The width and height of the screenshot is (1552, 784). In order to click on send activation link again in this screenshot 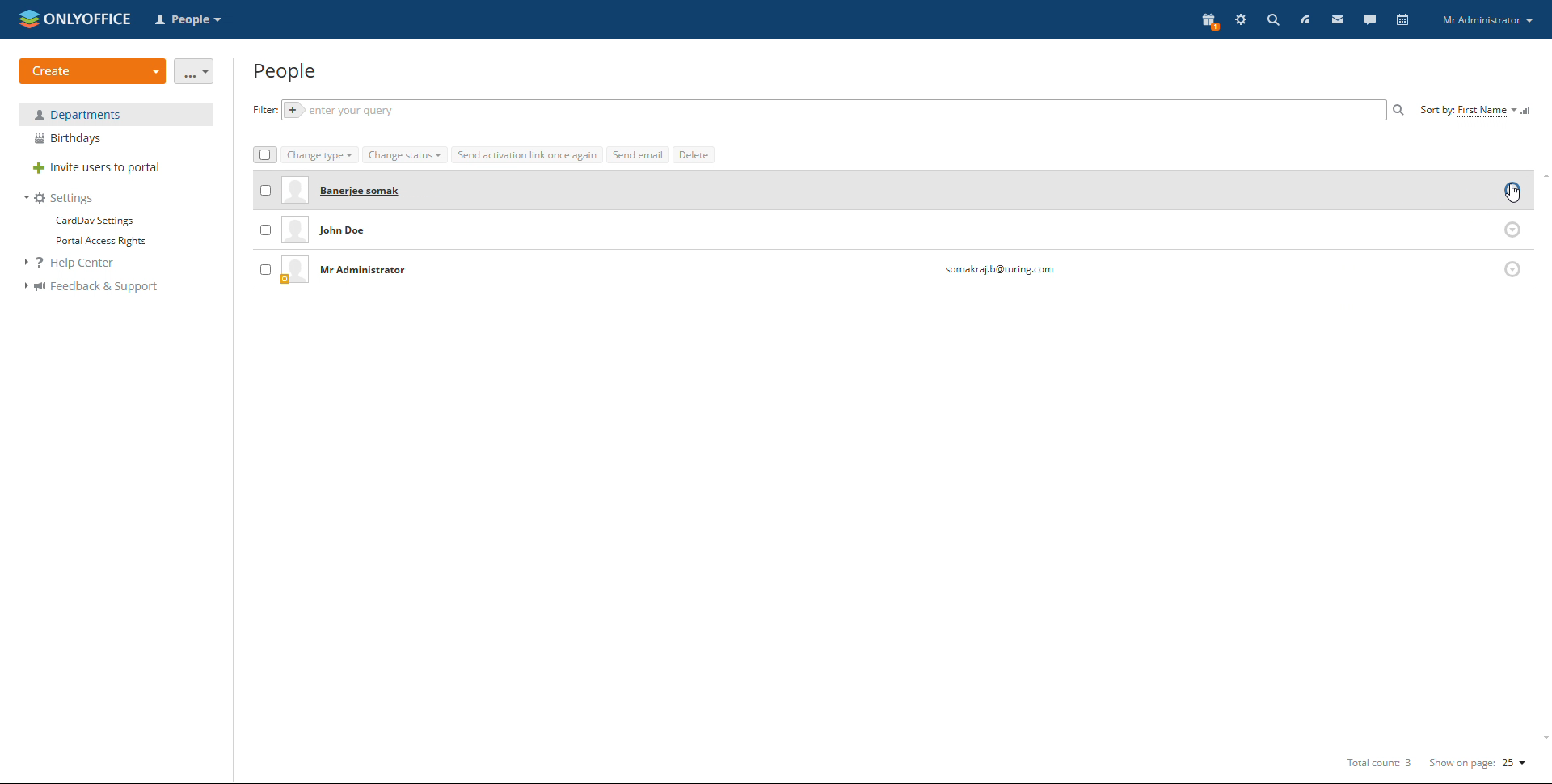, I will do `click(527, 154)`.